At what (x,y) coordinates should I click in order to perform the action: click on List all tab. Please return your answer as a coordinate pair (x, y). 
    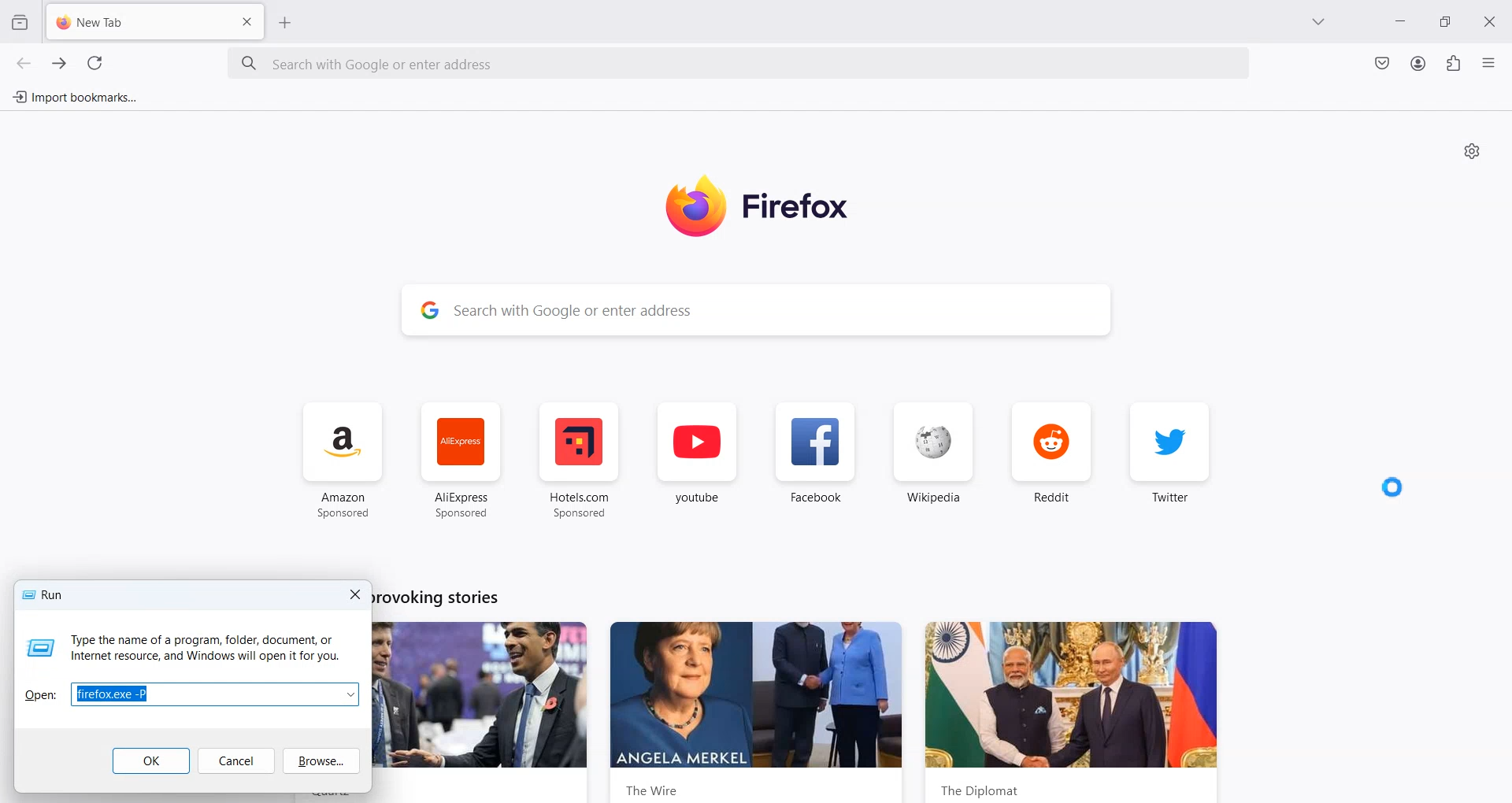
    Looking at the image, I should click on (1319, 23).